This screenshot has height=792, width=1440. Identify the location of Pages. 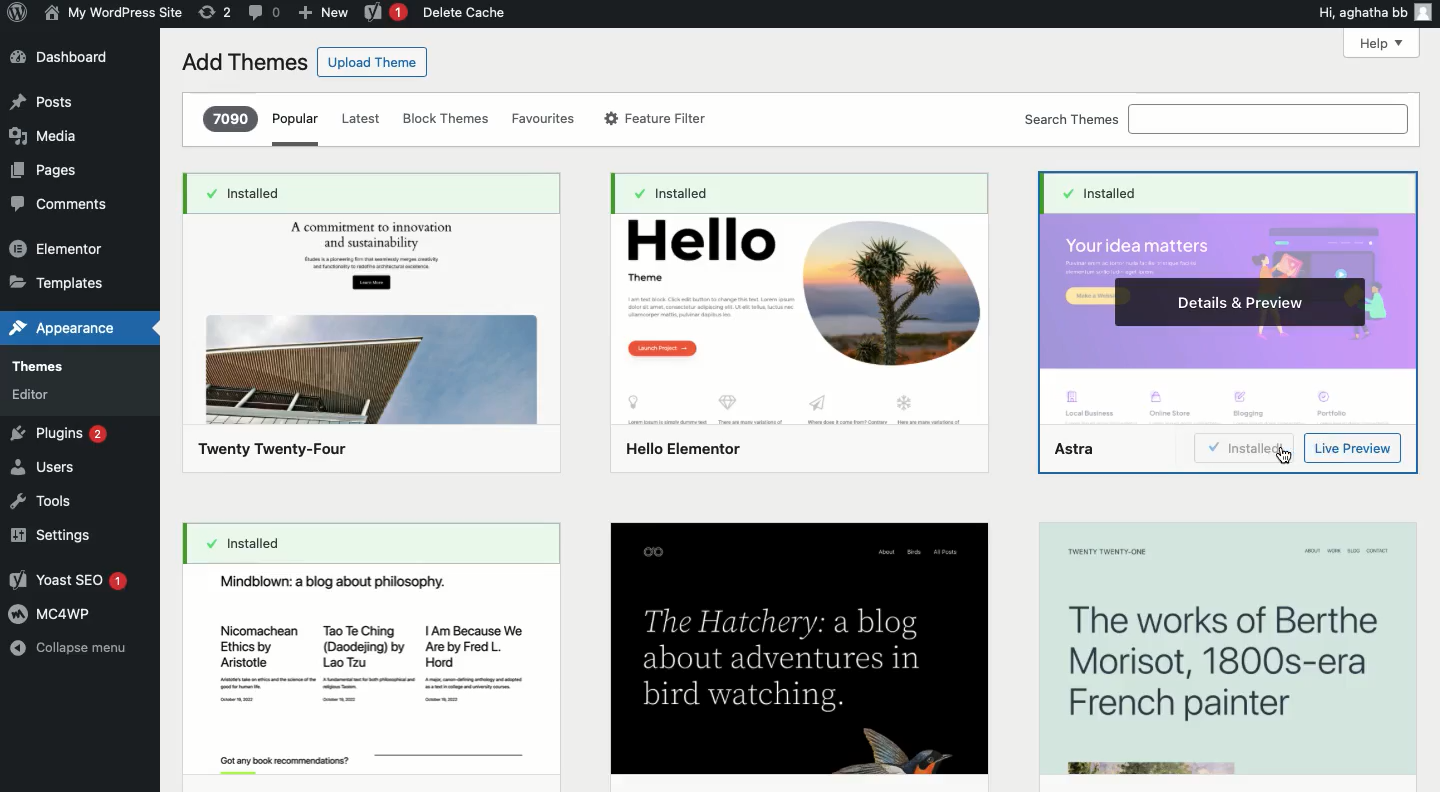
(43, 172).